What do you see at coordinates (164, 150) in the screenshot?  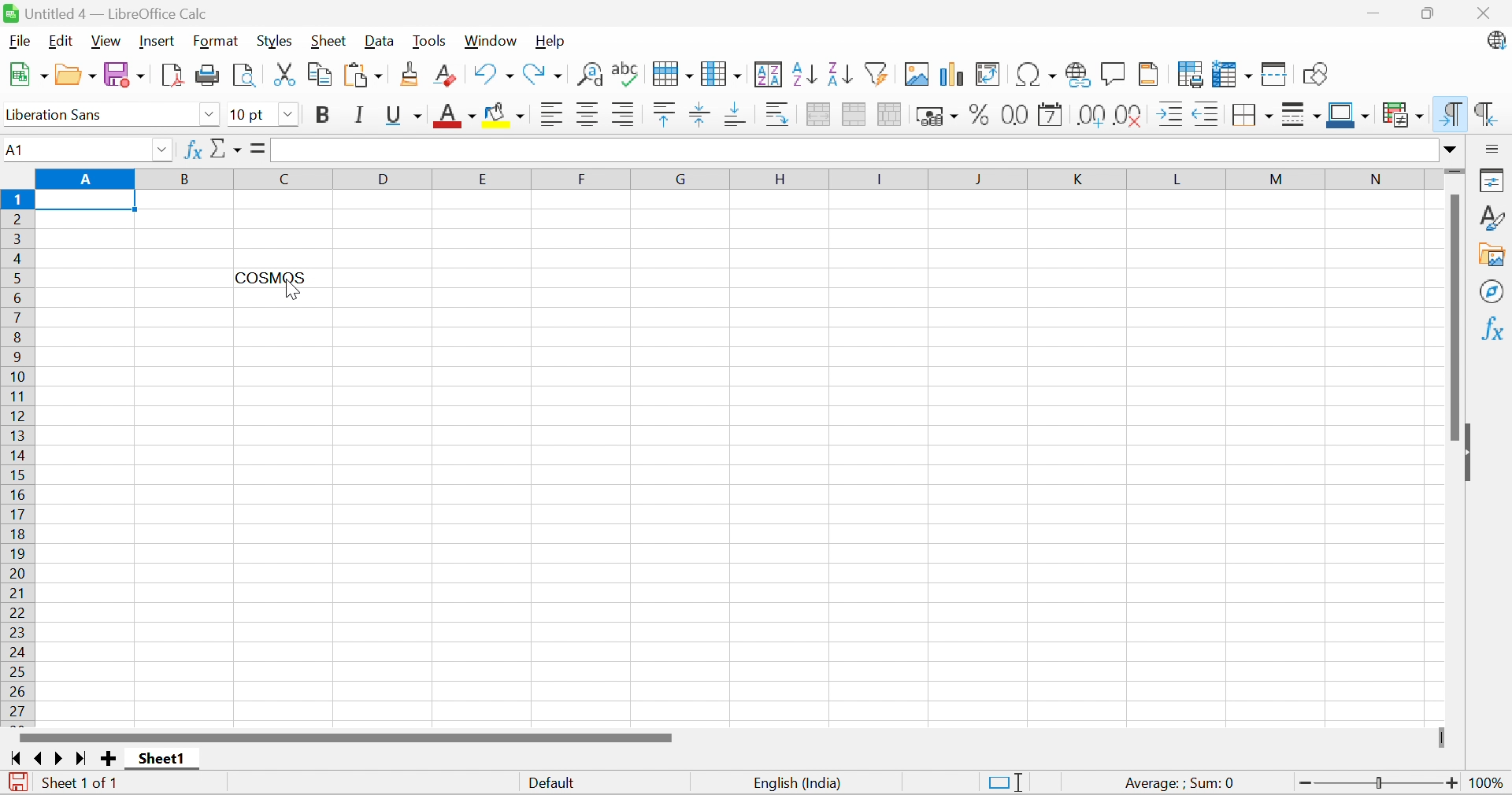 I see `Drop Down` at bounding box center [164, 150].